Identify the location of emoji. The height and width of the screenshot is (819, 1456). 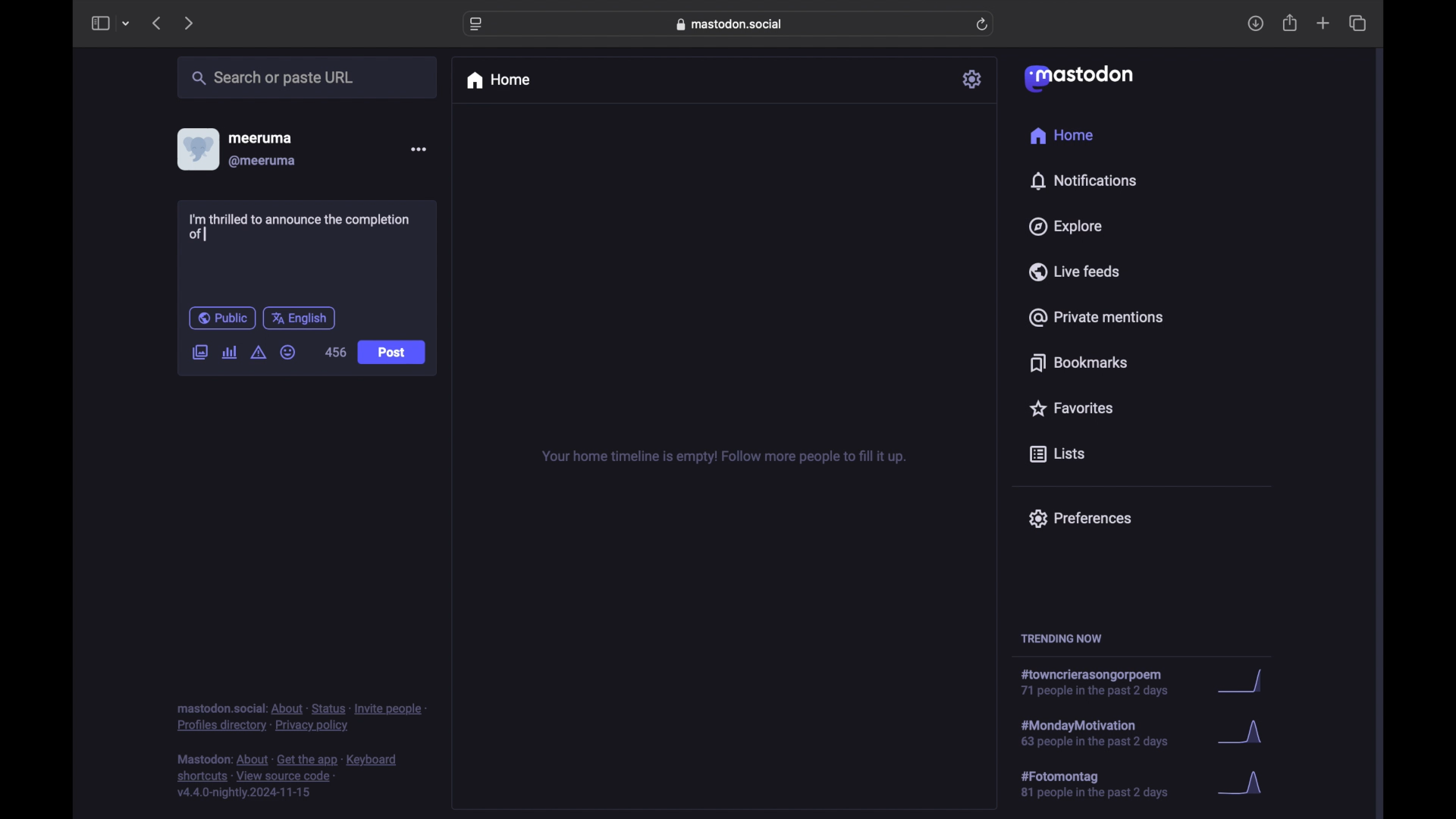
(288, 352).